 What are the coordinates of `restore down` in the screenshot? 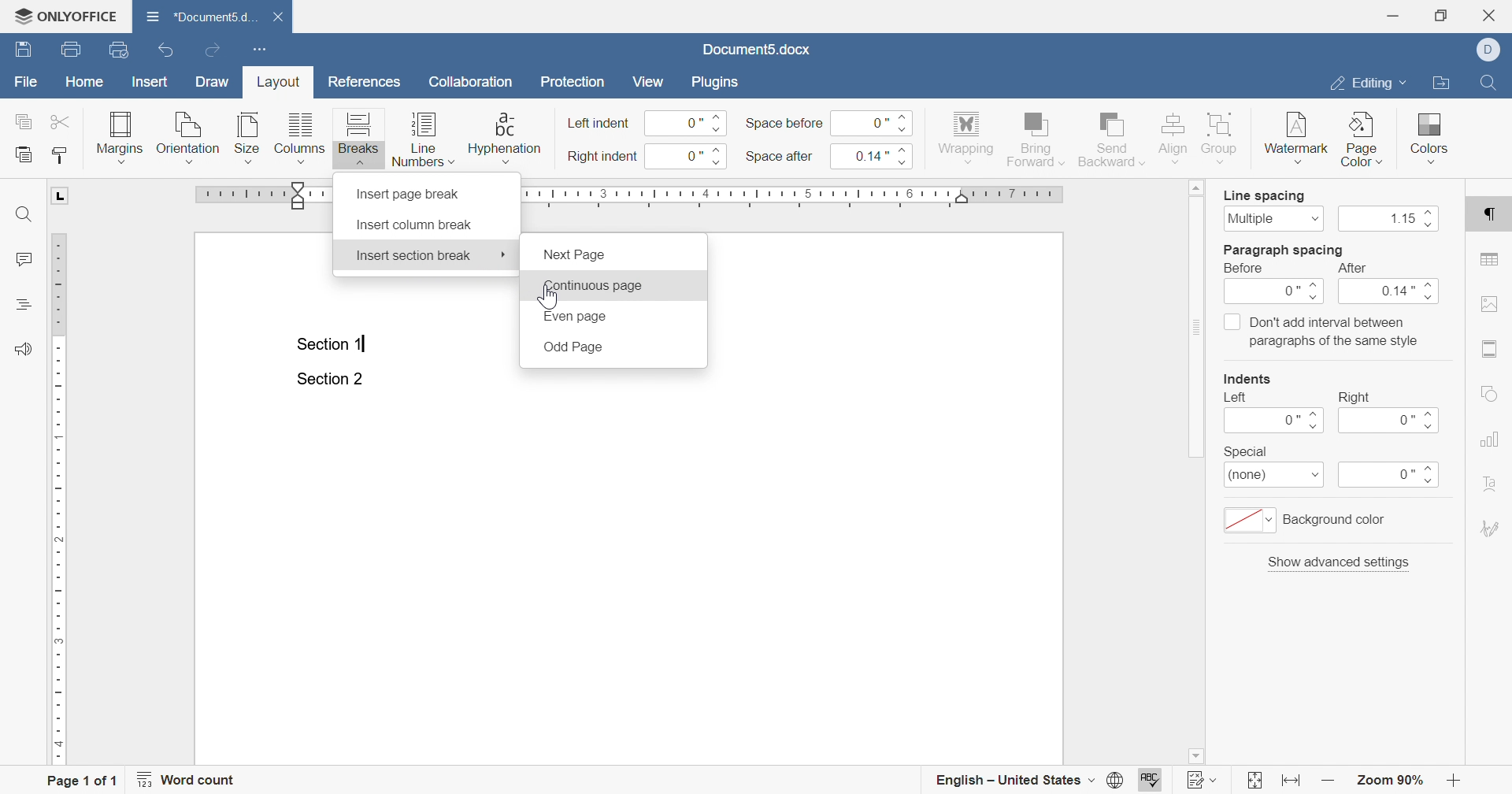 It's located at (1441, 16).